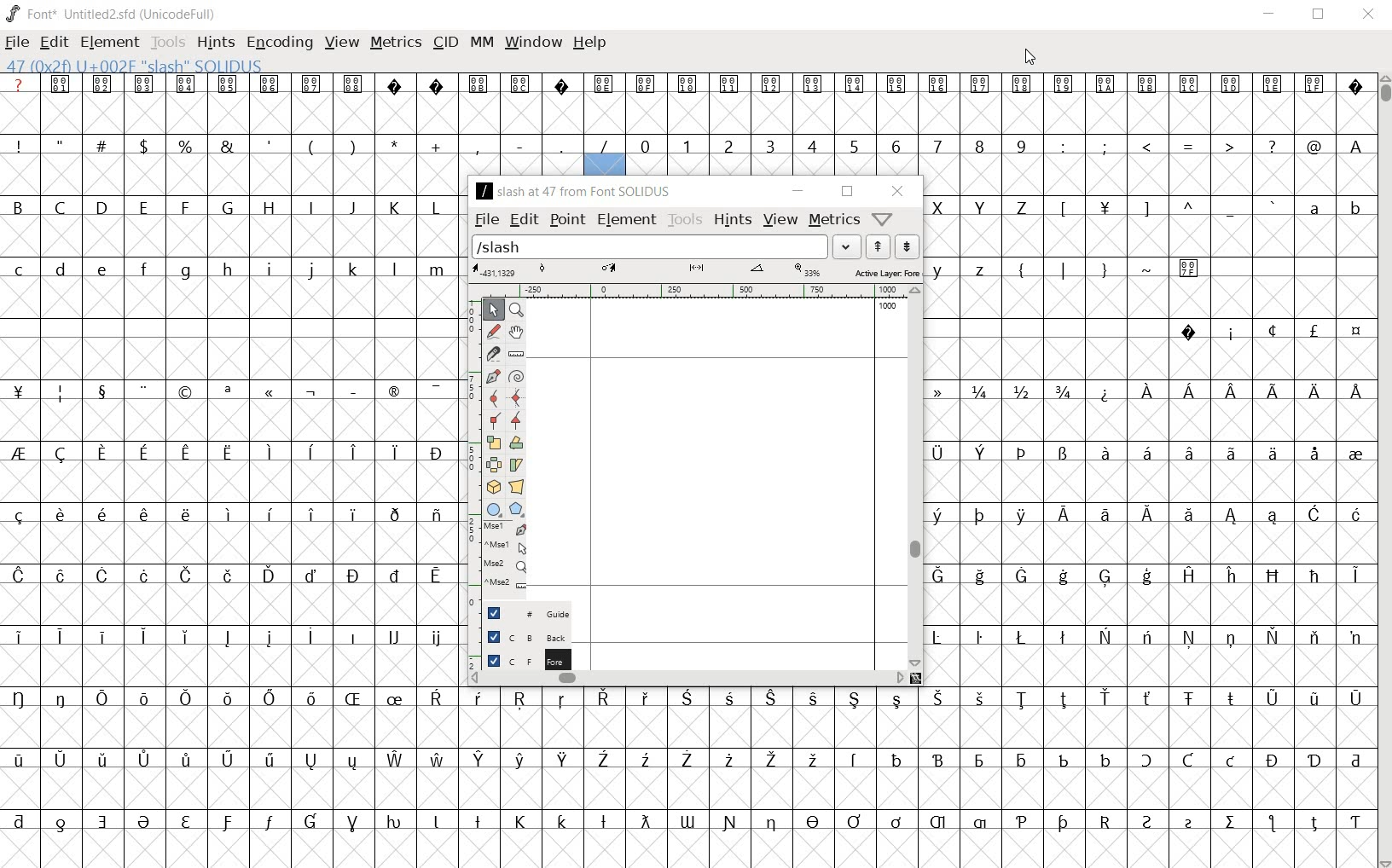 The image size is (1392, 868). Describe the element at coordinates (1030, 391) in the screenshot. I see `fractions` at that location.